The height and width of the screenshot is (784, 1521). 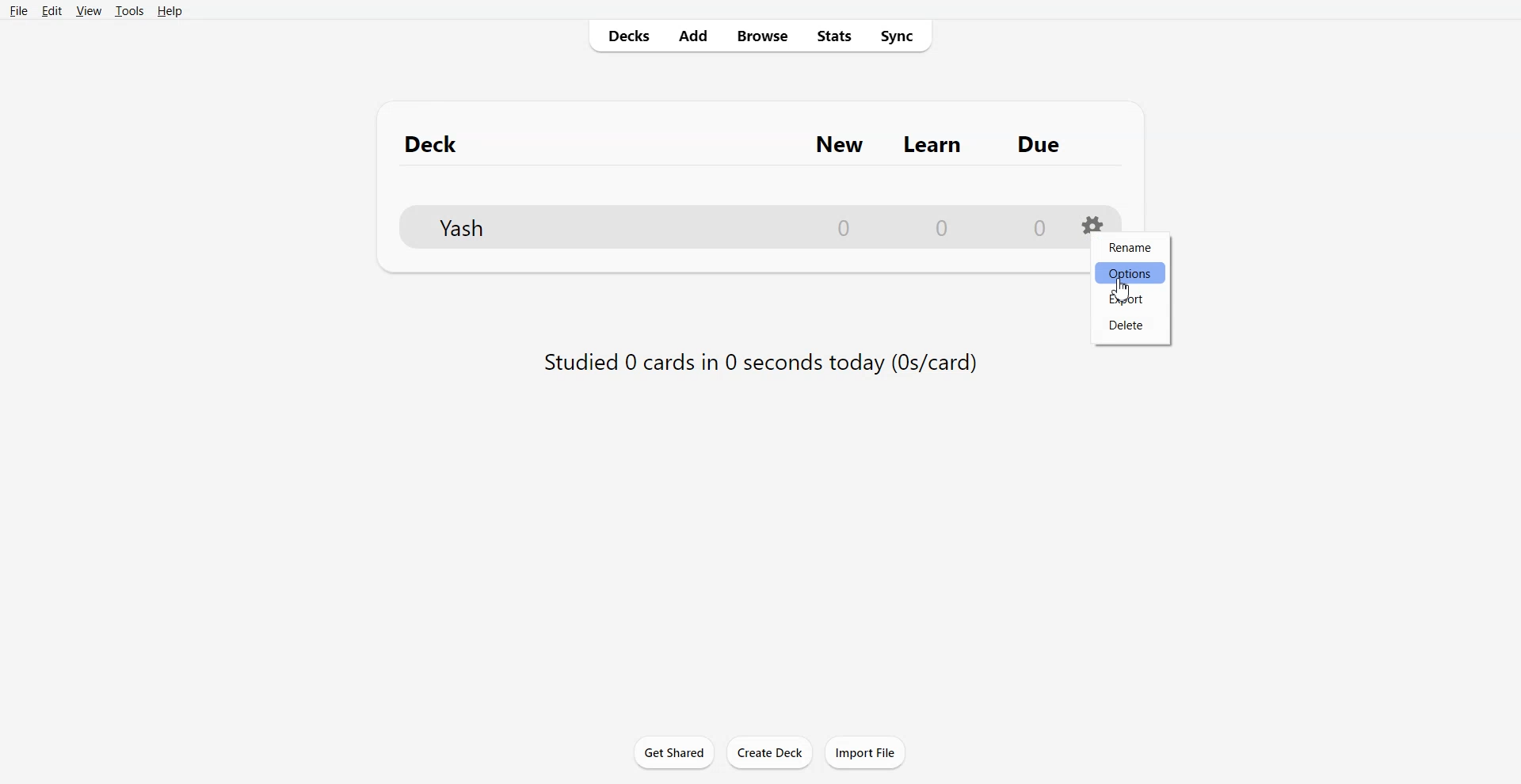 I want to click on Text 2, so click(x=758, y=360).